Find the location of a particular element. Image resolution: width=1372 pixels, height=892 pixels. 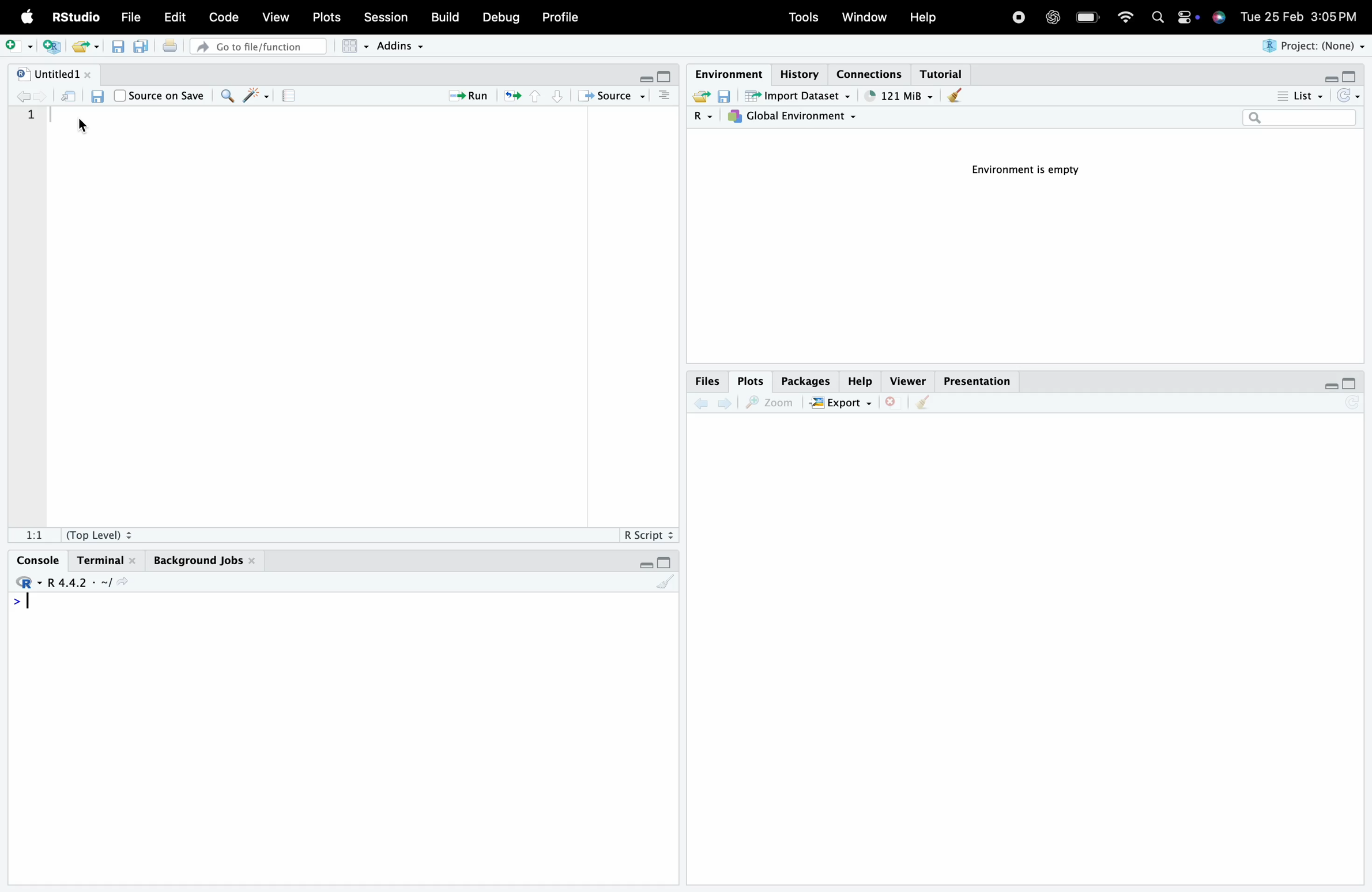

RStudio is located at coordinates (76, 16).